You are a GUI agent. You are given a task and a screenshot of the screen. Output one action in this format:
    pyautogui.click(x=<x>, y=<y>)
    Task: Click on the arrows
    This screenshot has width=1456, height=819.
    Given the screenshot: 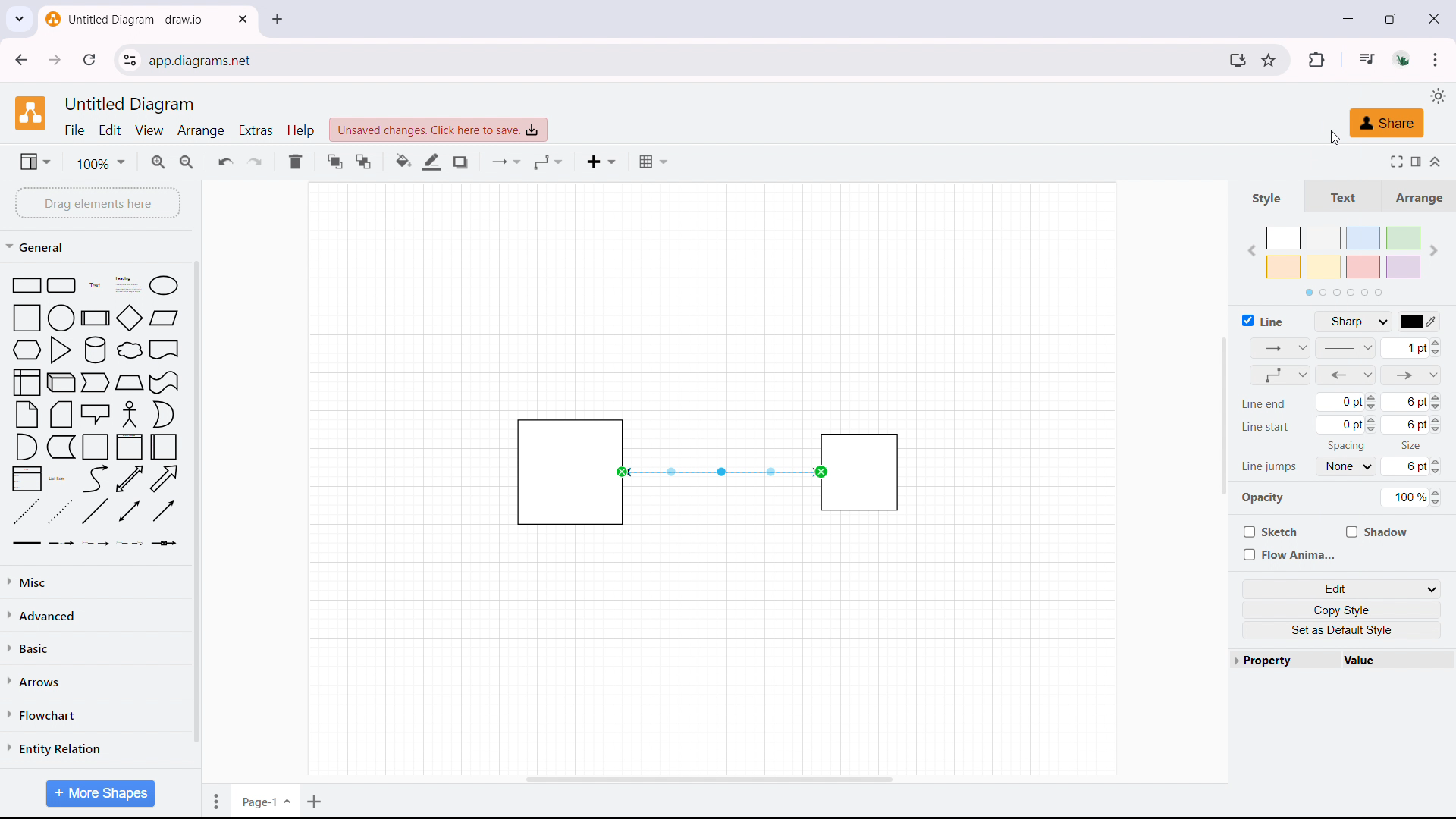 What is the action you would take?
    pyautogui.click(x=95, y=680)
    